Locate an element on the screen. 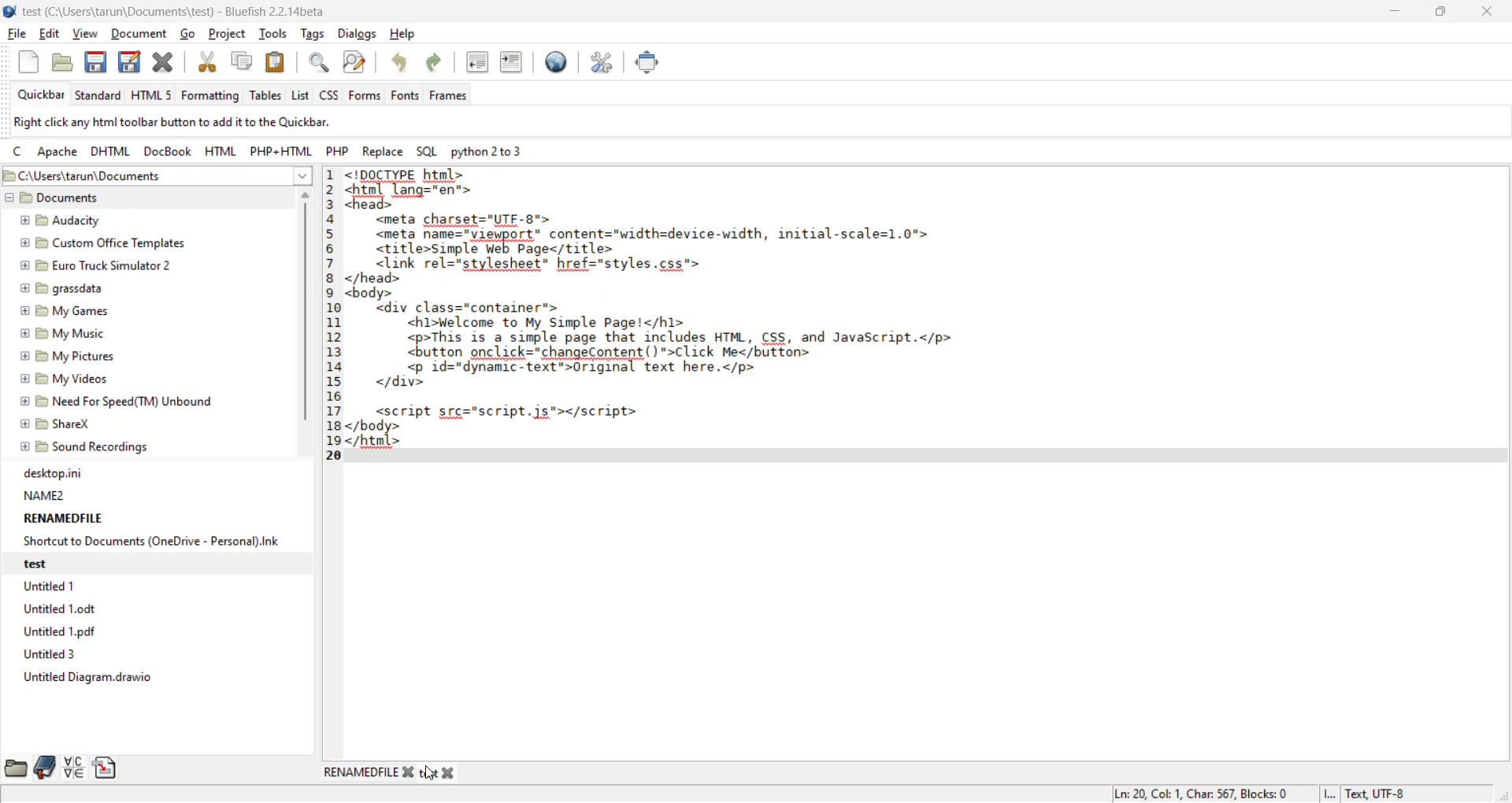 The width and height of the screenshot is (1512, 803). snippets is located at coordinates (105, 768).